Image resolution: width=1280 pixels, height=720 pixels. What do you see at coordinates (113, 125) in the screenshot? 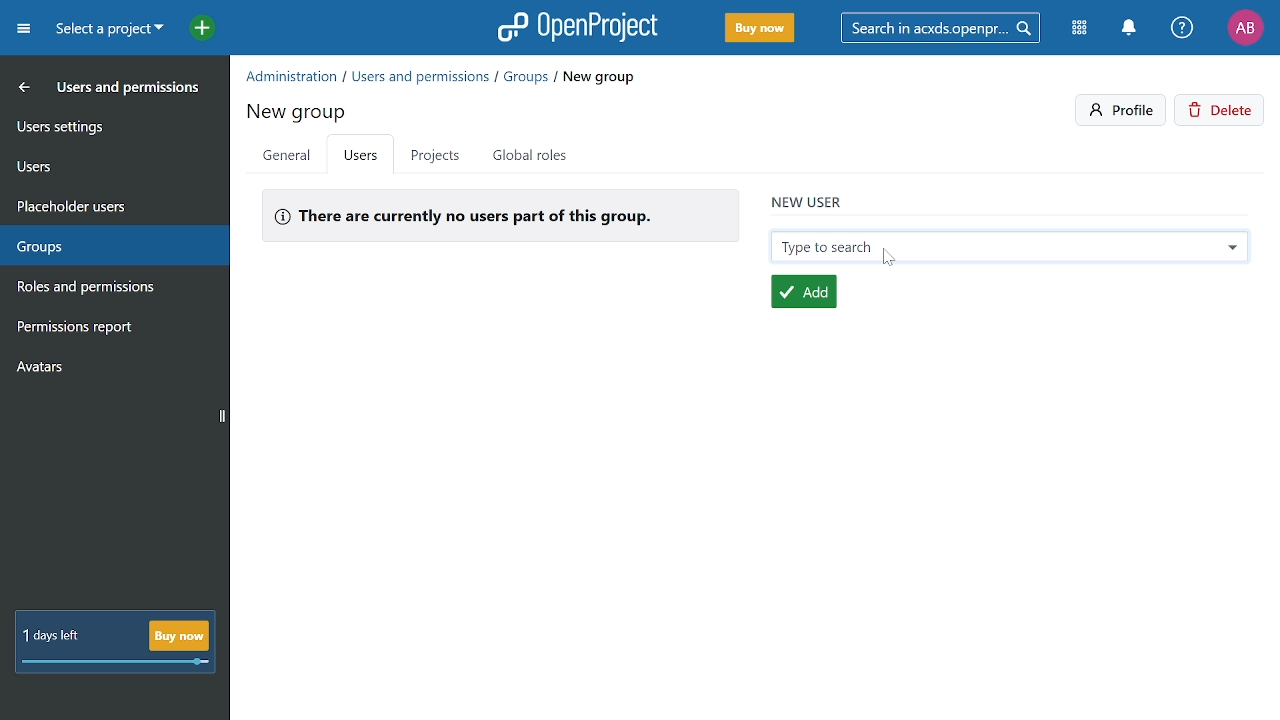
I see `User settings` at bounding box center [113, 125].